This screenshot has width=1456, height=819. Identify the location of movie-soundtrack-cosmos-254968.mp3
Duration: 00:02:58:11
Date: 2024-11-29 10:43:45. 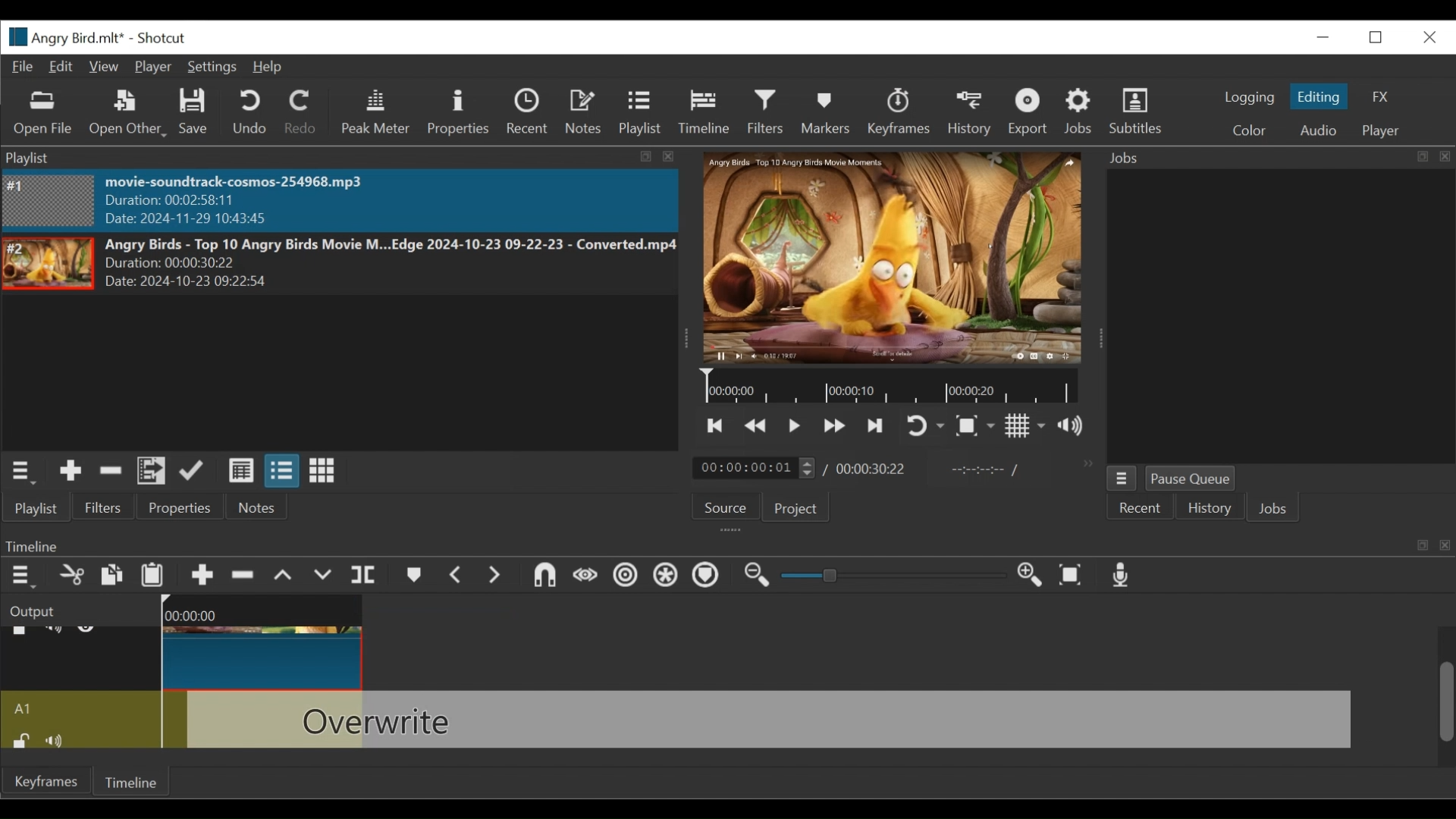
(268, 201).